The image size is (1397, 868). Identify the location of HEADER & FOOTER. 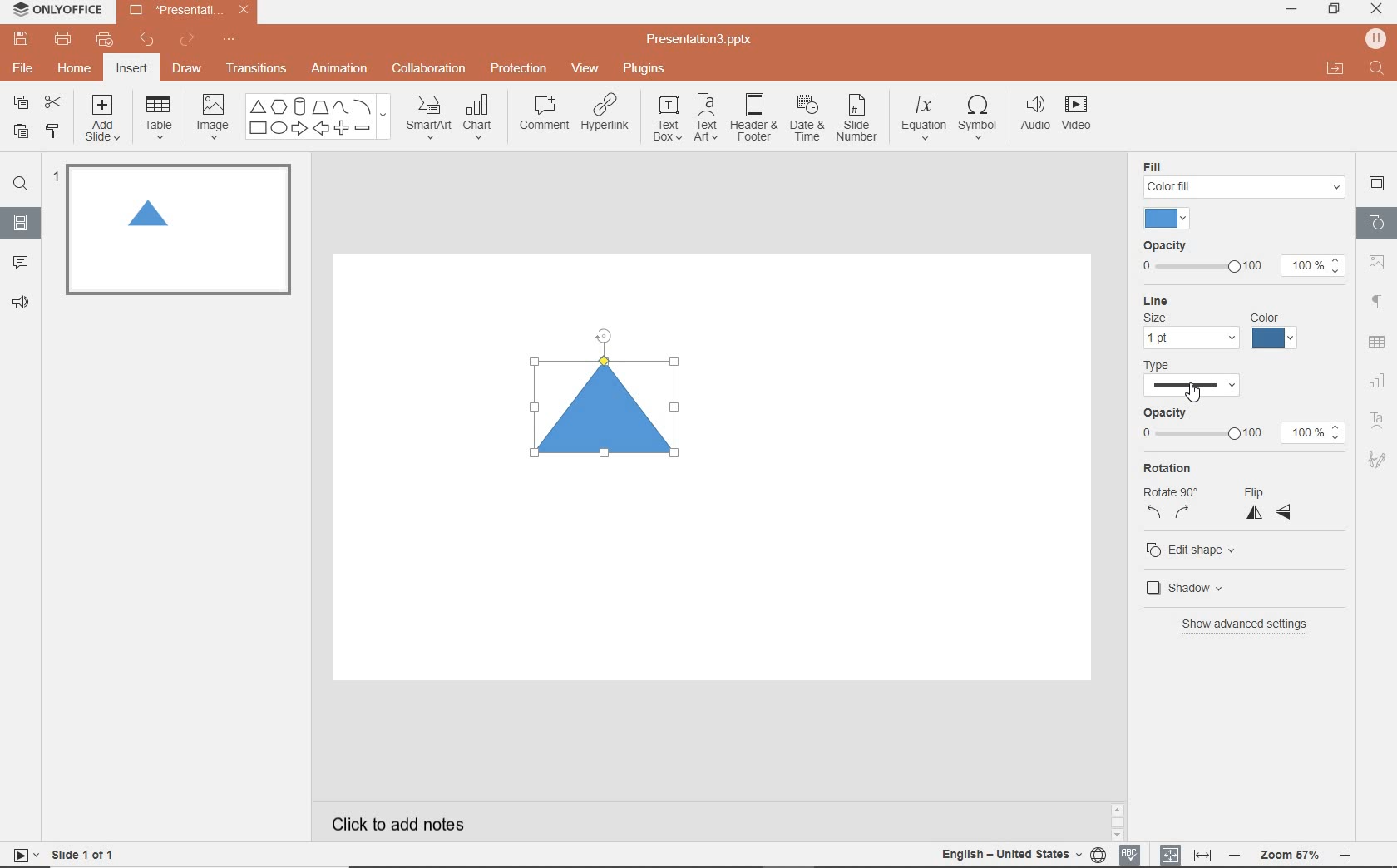
(753, 117).